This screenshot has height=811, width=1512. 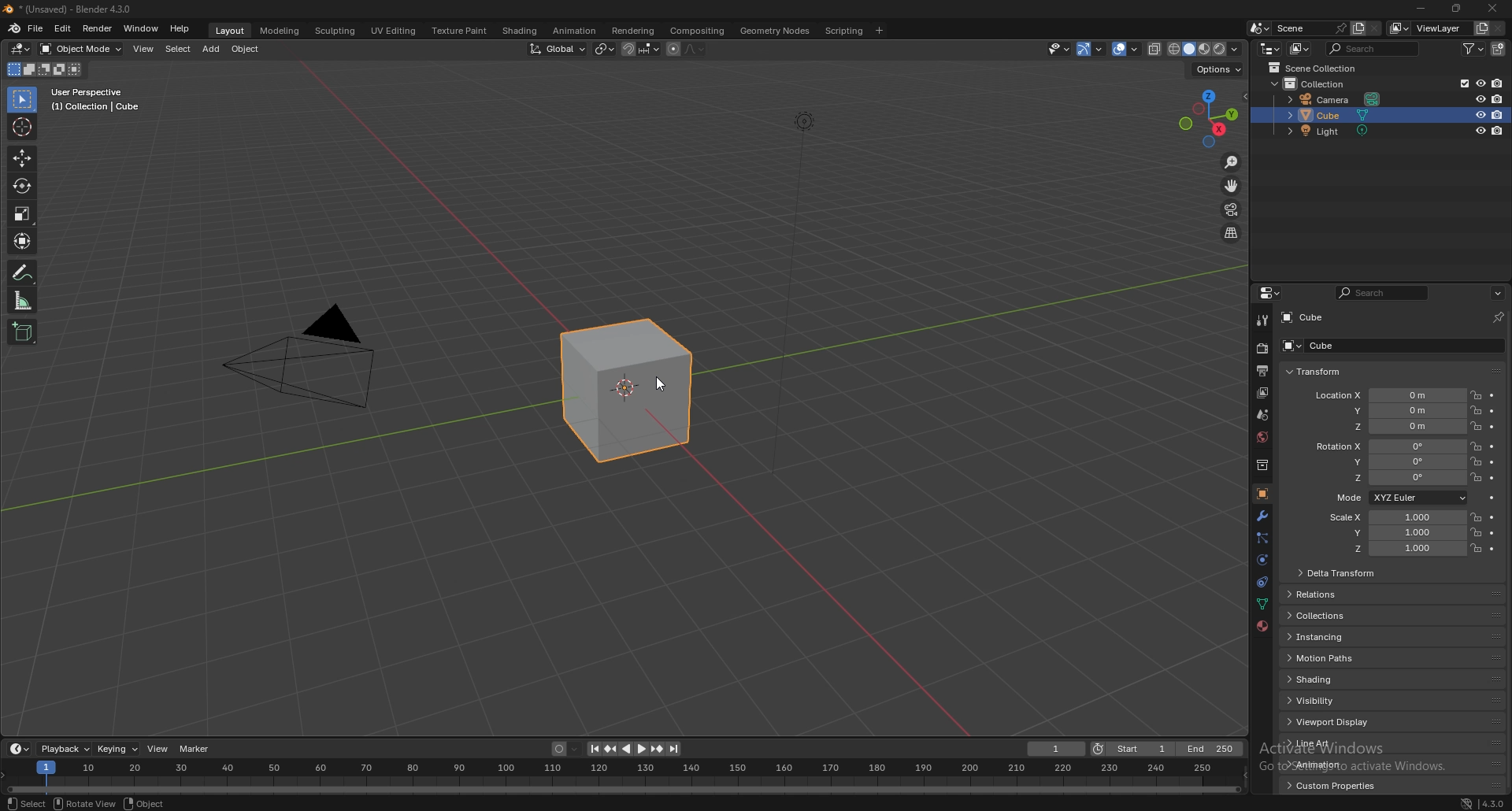 I want to click on rendering, so click(x=632, y=31).